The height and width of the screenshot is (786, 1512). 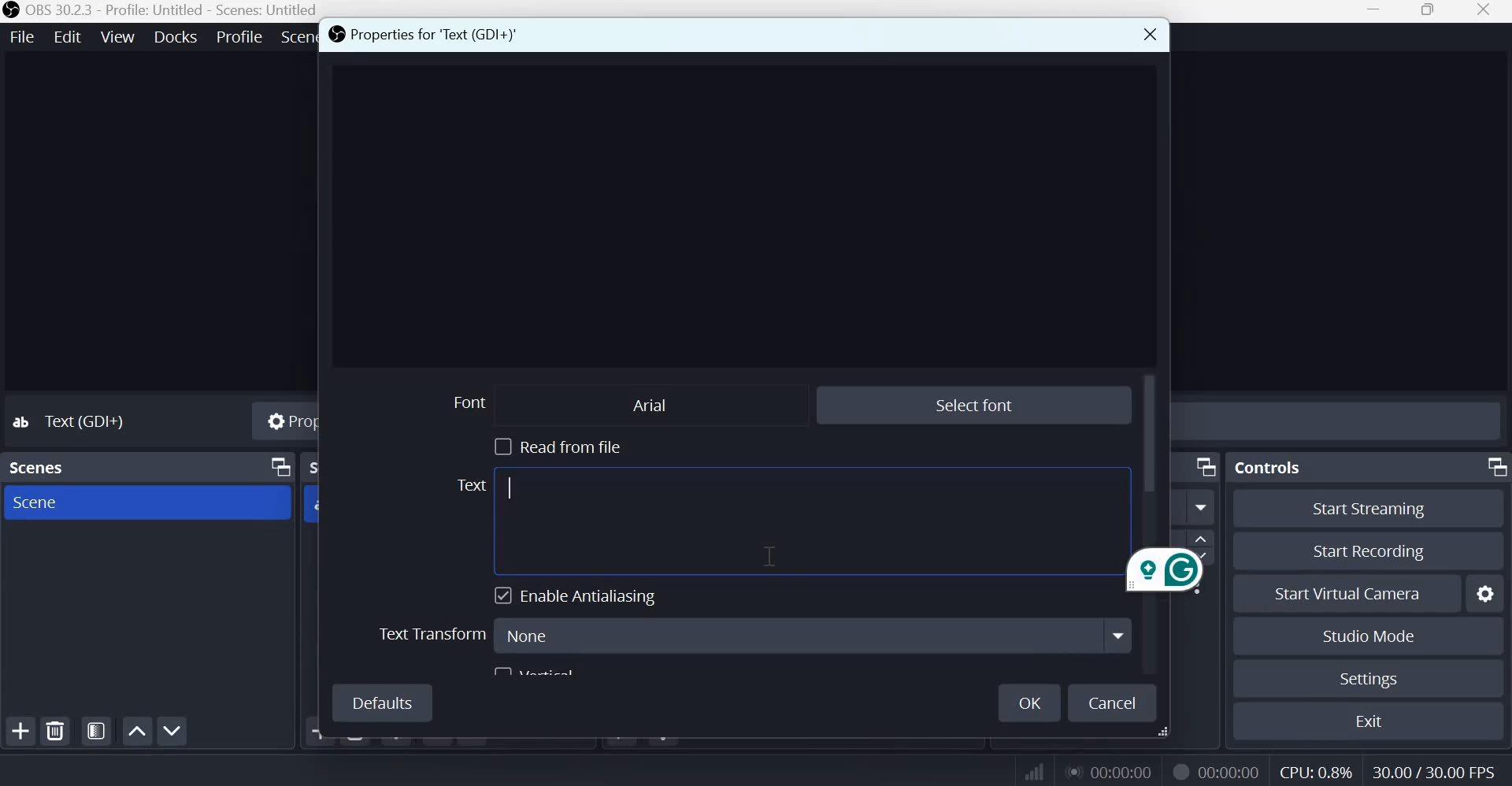 What do you see at coordinates (1036, 769) in the screenshot?
I see `Connection Status Indicator` at bounding box center [1036, 769].